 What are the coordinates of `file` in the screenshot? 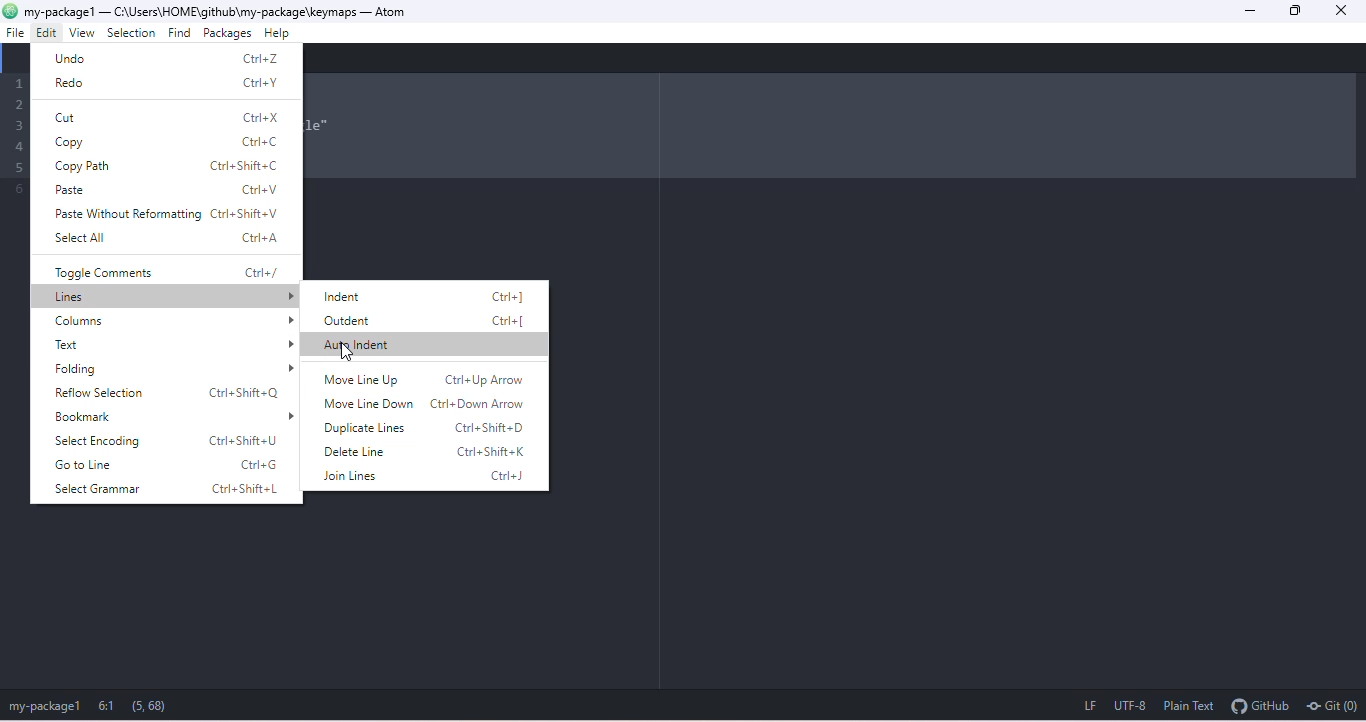 It's located at (12, 34).